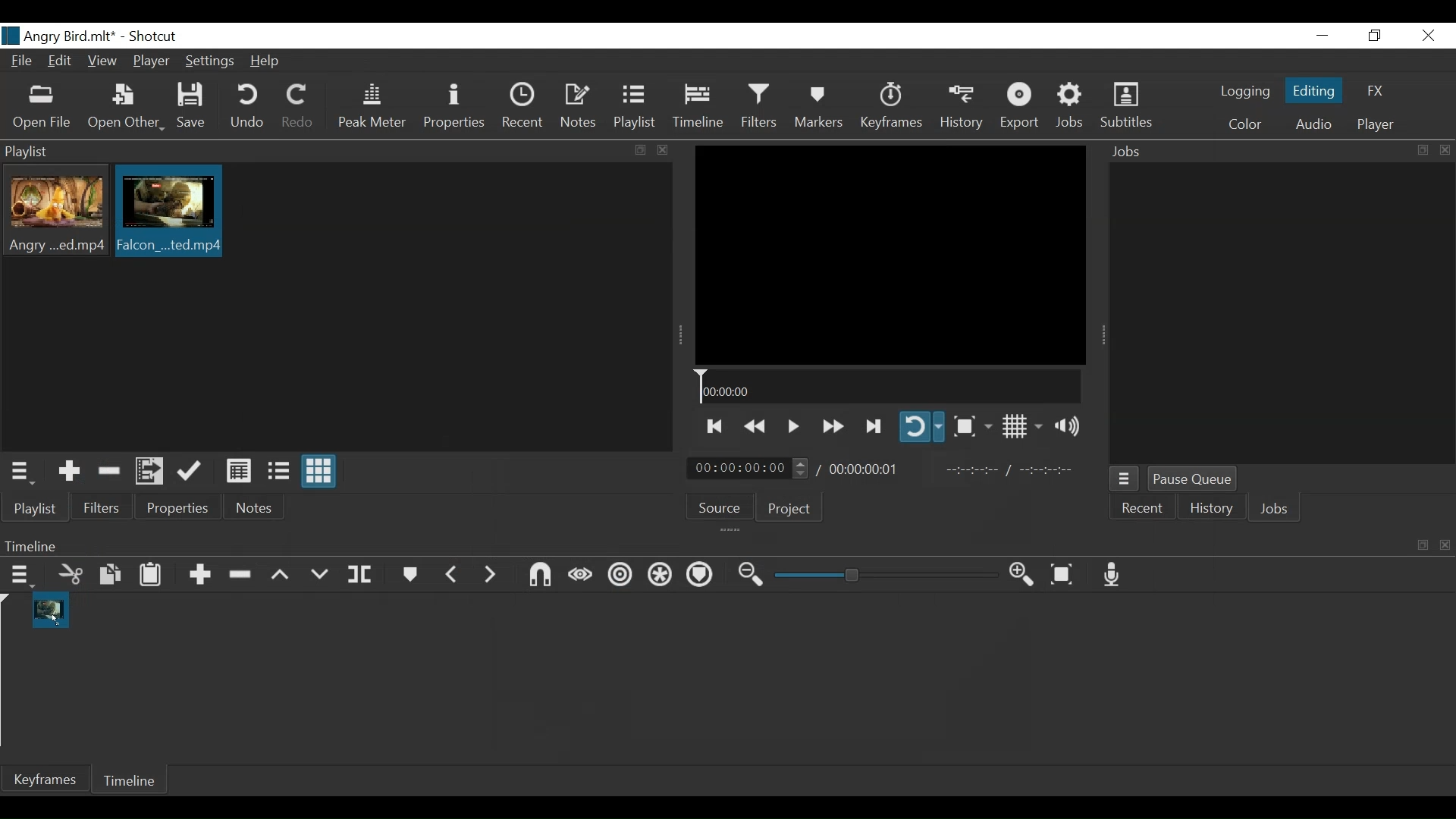  What do you see at coordinates (124, 782) in the screenshot?
I see `Timeline` at bounding box center [124, 782].